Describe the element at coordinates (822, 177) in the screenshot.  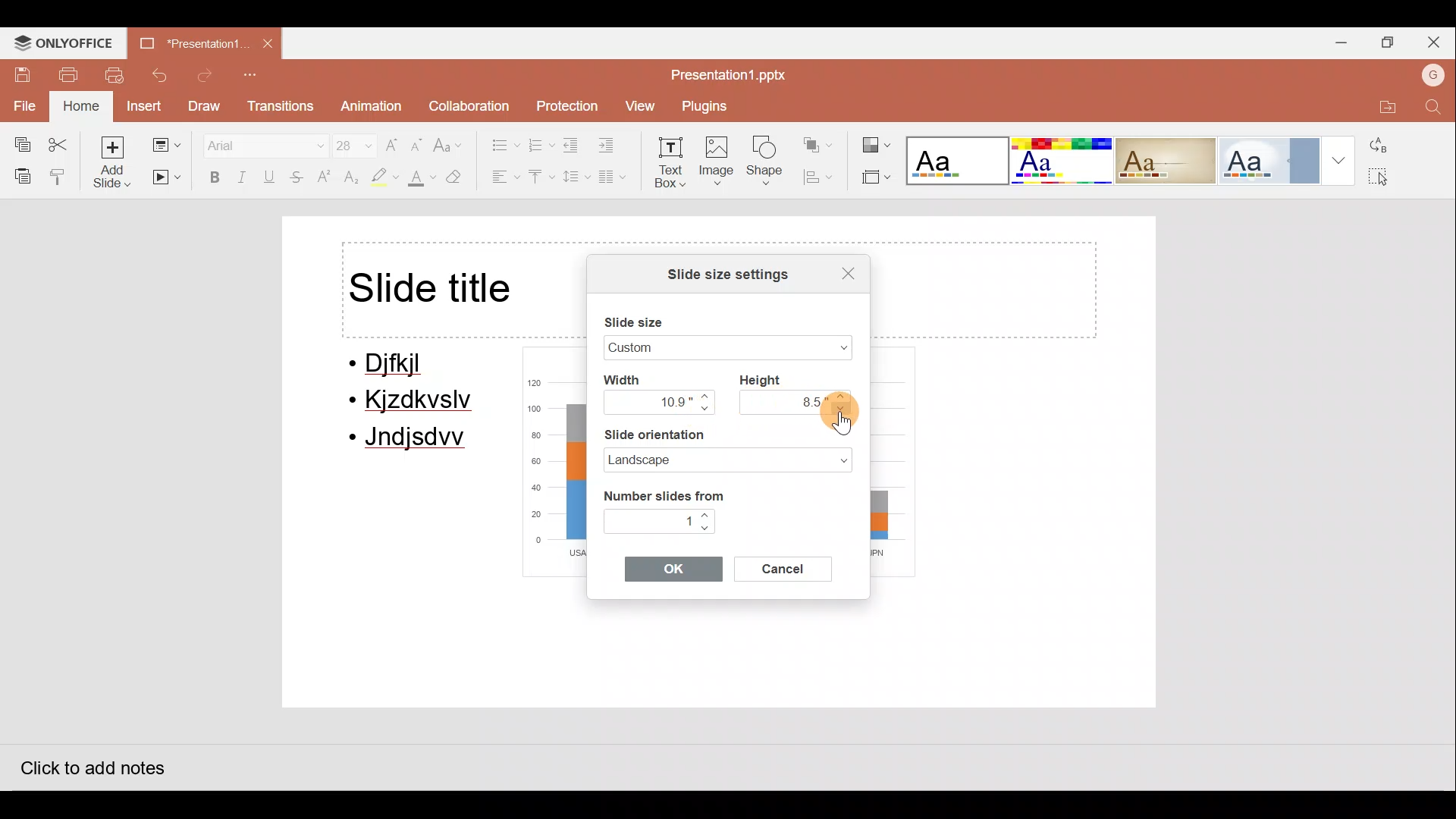
I see `Align shape` at that location.